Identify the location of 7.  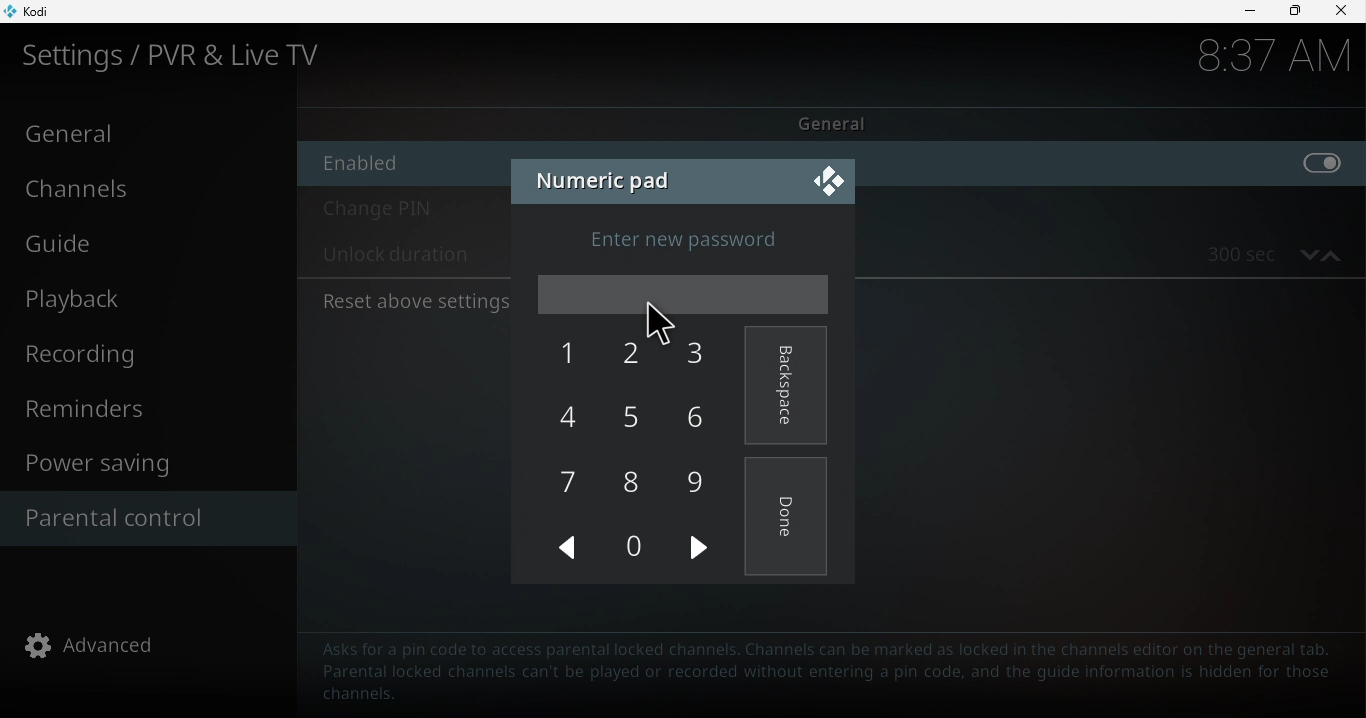
(566, 486).